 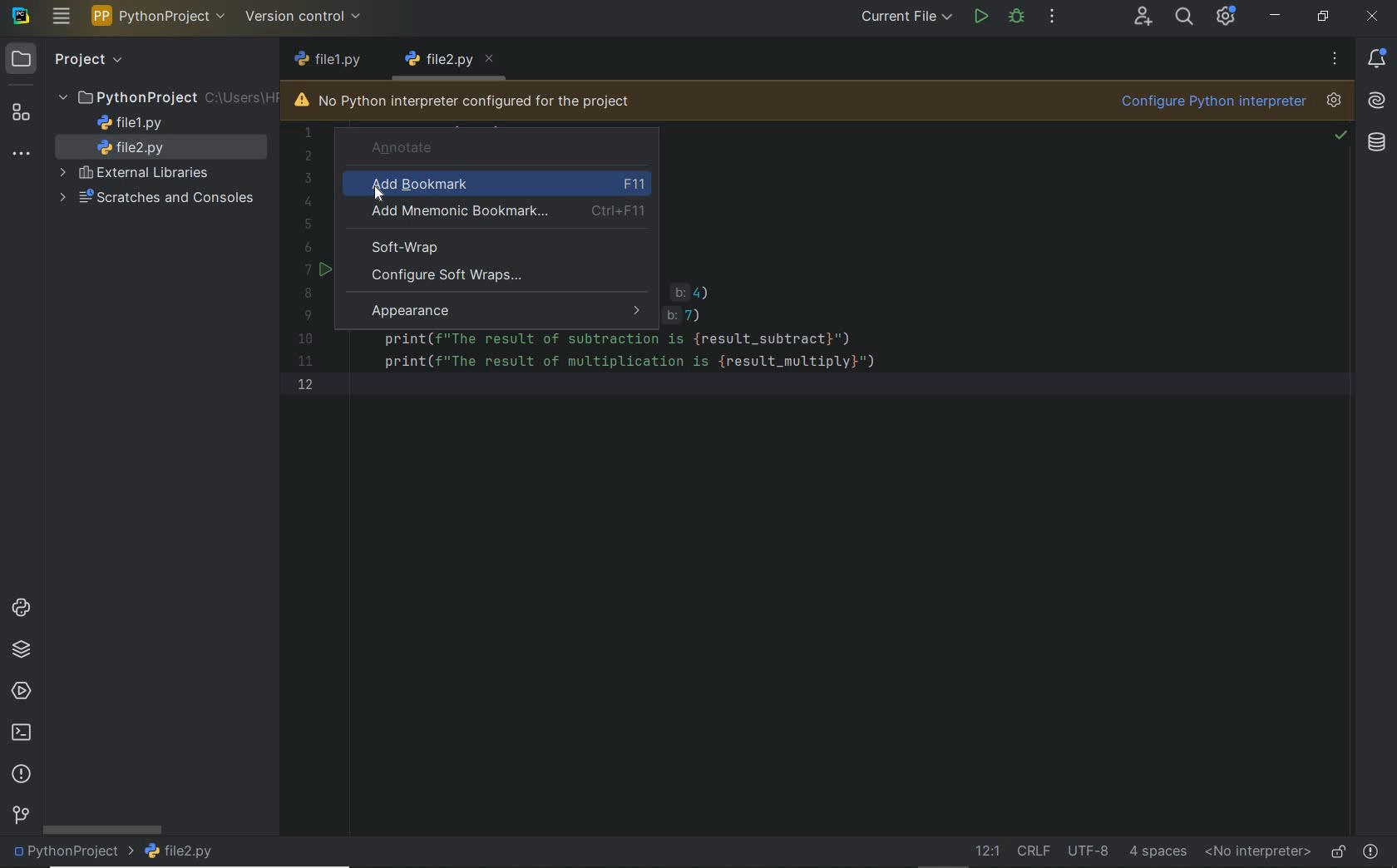 What do you see at coordinates (19, 693) in the screenshot?
I see `services` at bounding box center [19, 693].